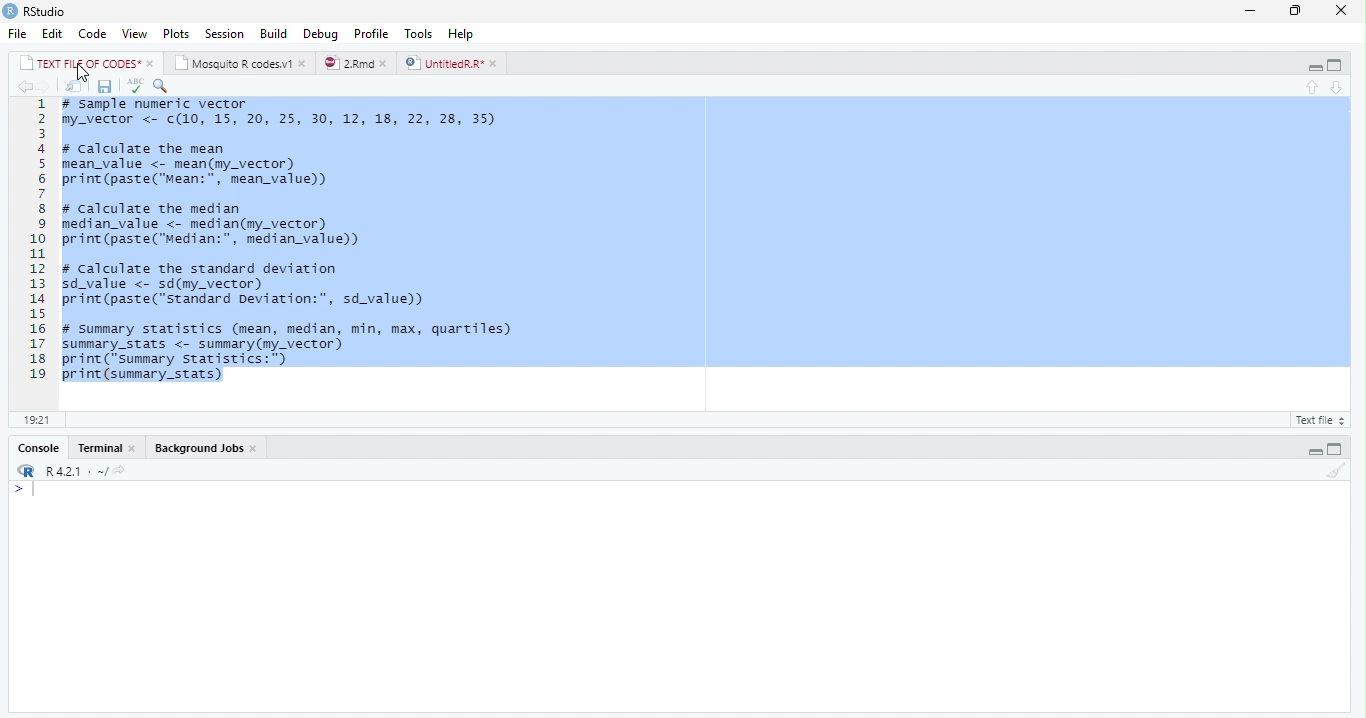 This screenshot has height=718, width=1366. What do you see at coordinates (76, 88) in the screenshot?
I see `show in new window` at bounding box center [76, 88].